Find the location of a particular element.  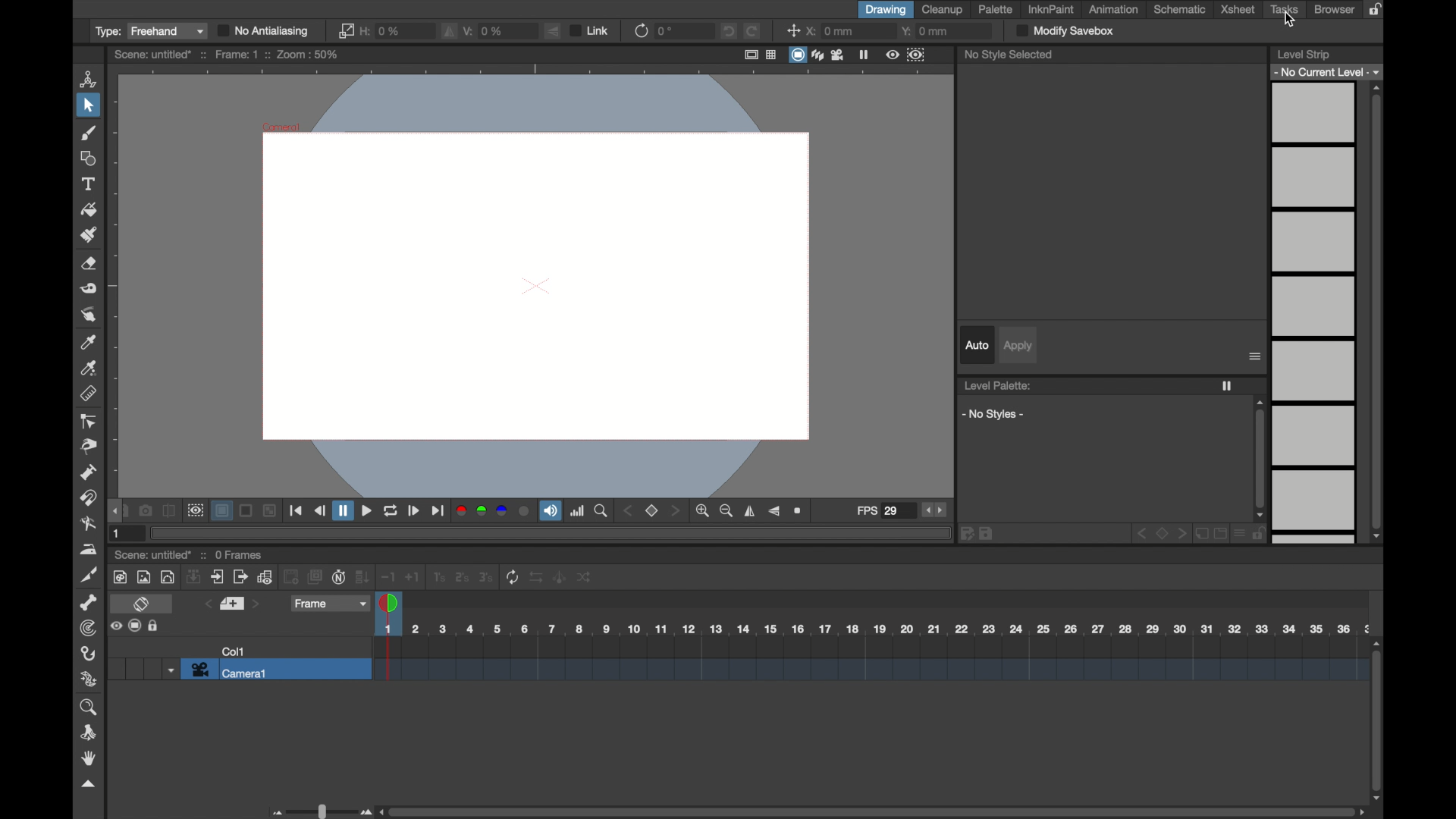

auto is located at coordinates (977, 345).